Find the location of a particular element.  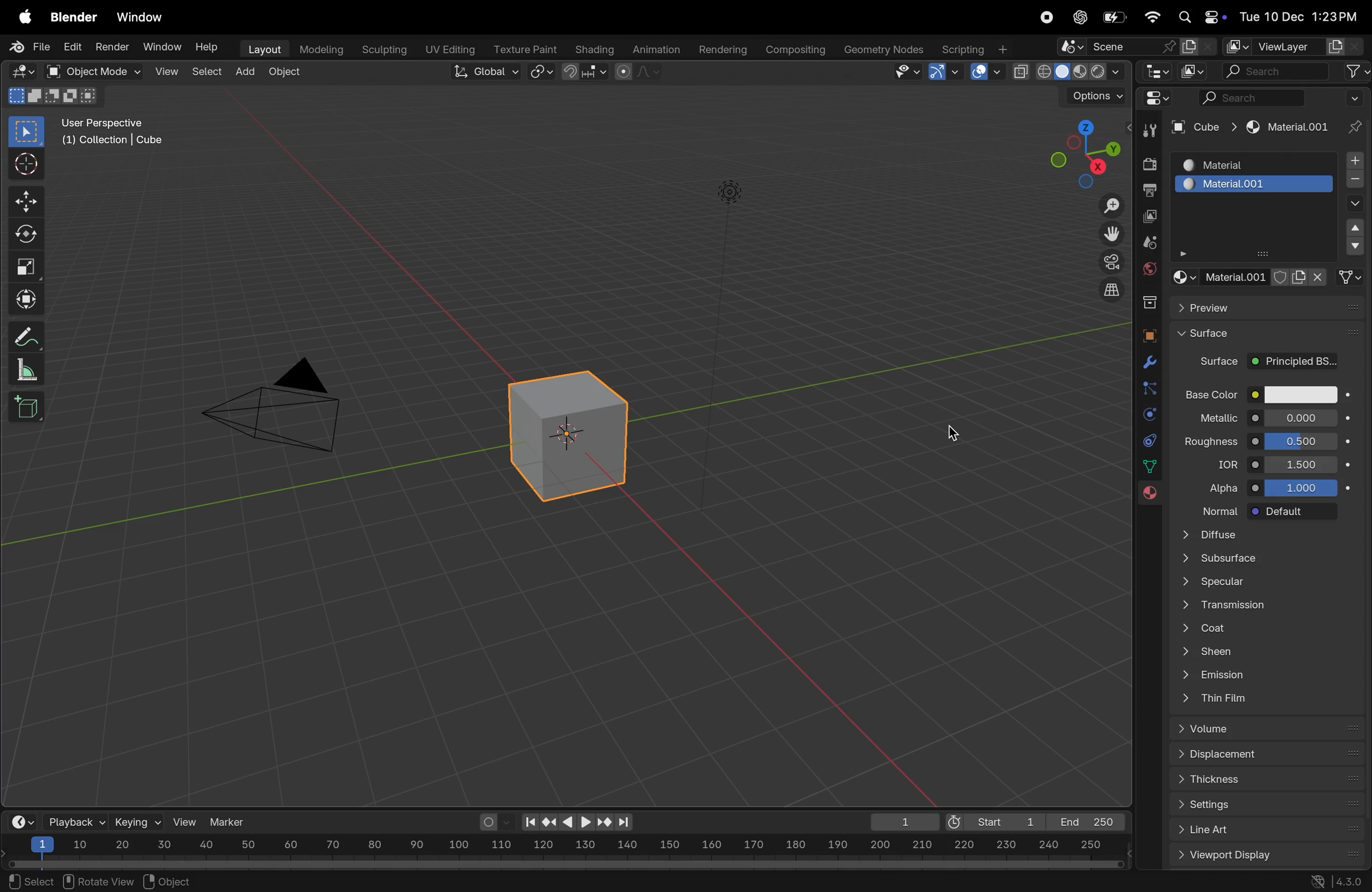

scene is located at coordinates (1149, 243).